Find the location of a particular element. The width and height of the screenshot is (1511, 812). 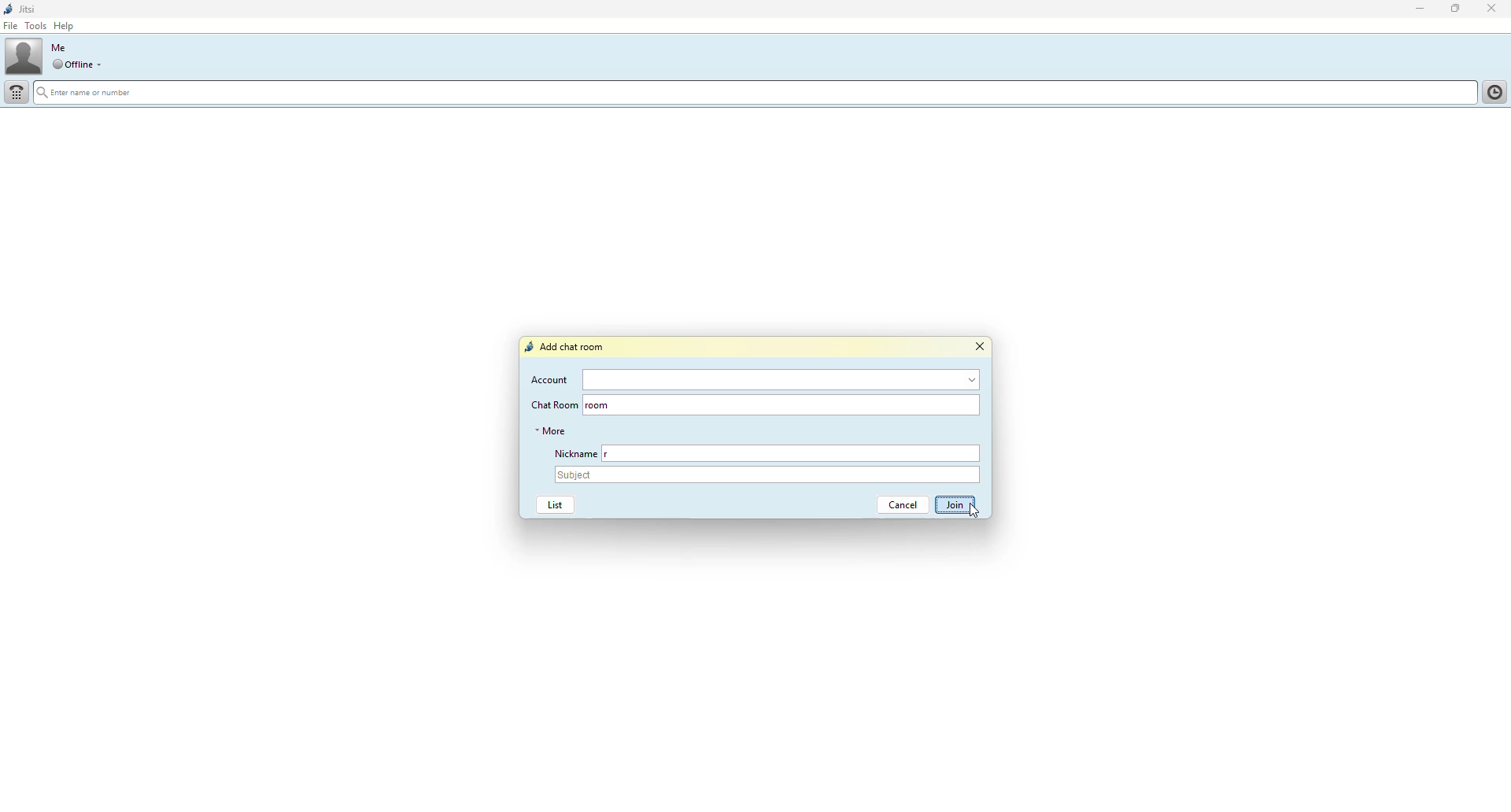

jitsi is located at coordinates (26, 10).